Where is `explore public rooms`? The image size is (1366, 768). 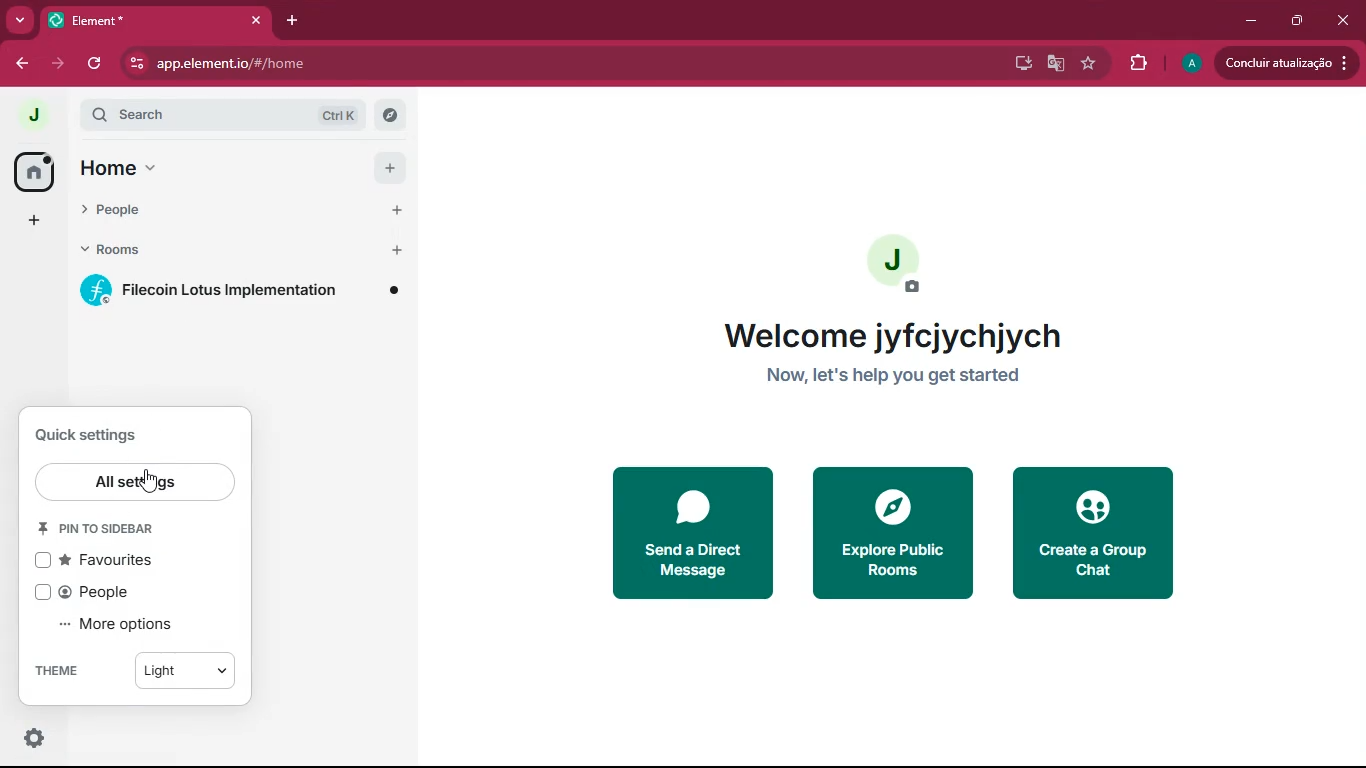
explore public rooms is located at coordinates (893, 534).